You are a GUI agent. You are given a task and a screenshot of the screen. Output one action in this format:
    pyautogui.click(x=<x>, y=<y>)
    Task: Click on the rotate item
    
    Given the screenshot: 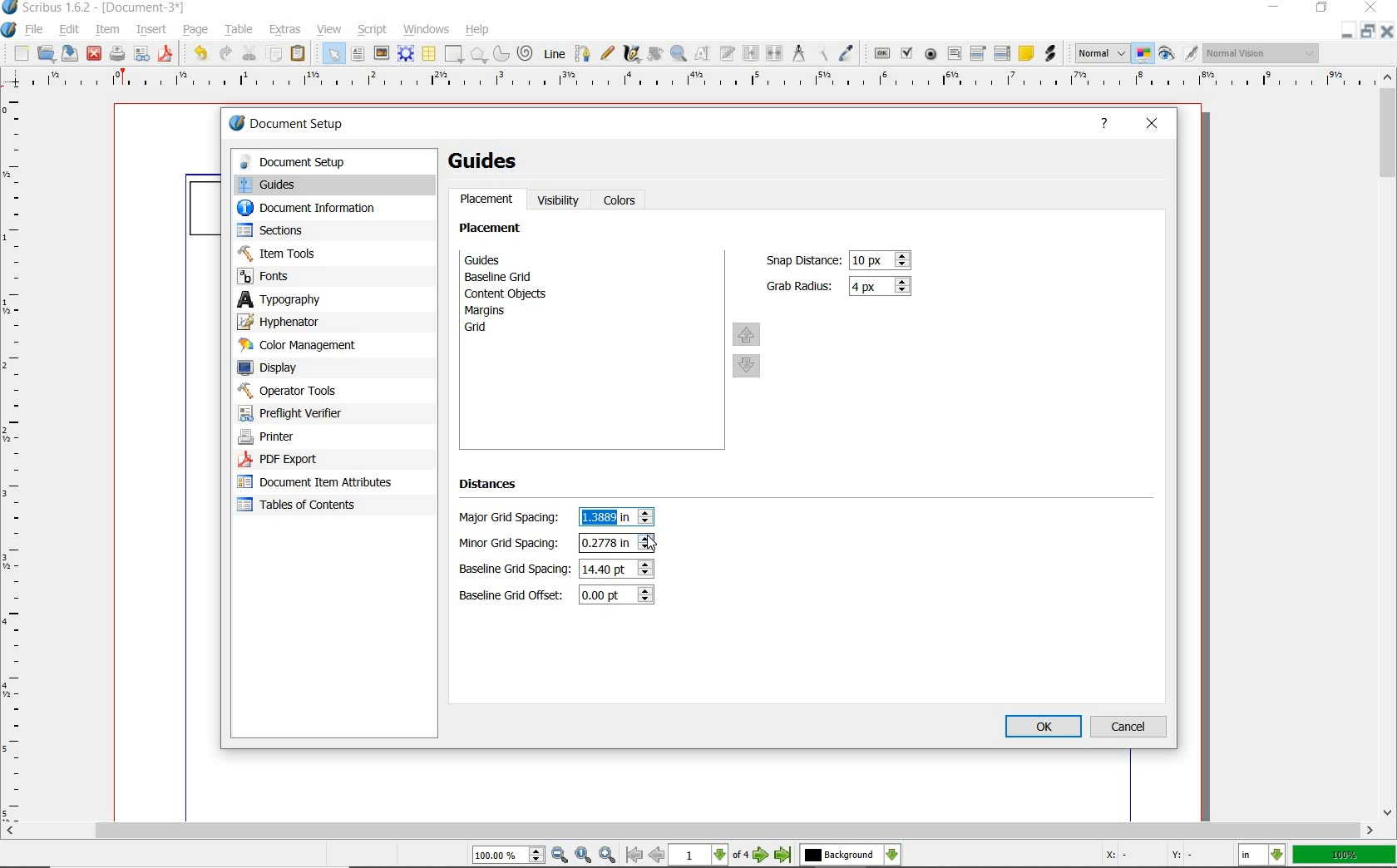 What is the action you would take?
    pyautogui.click(x=654, y=55)
    